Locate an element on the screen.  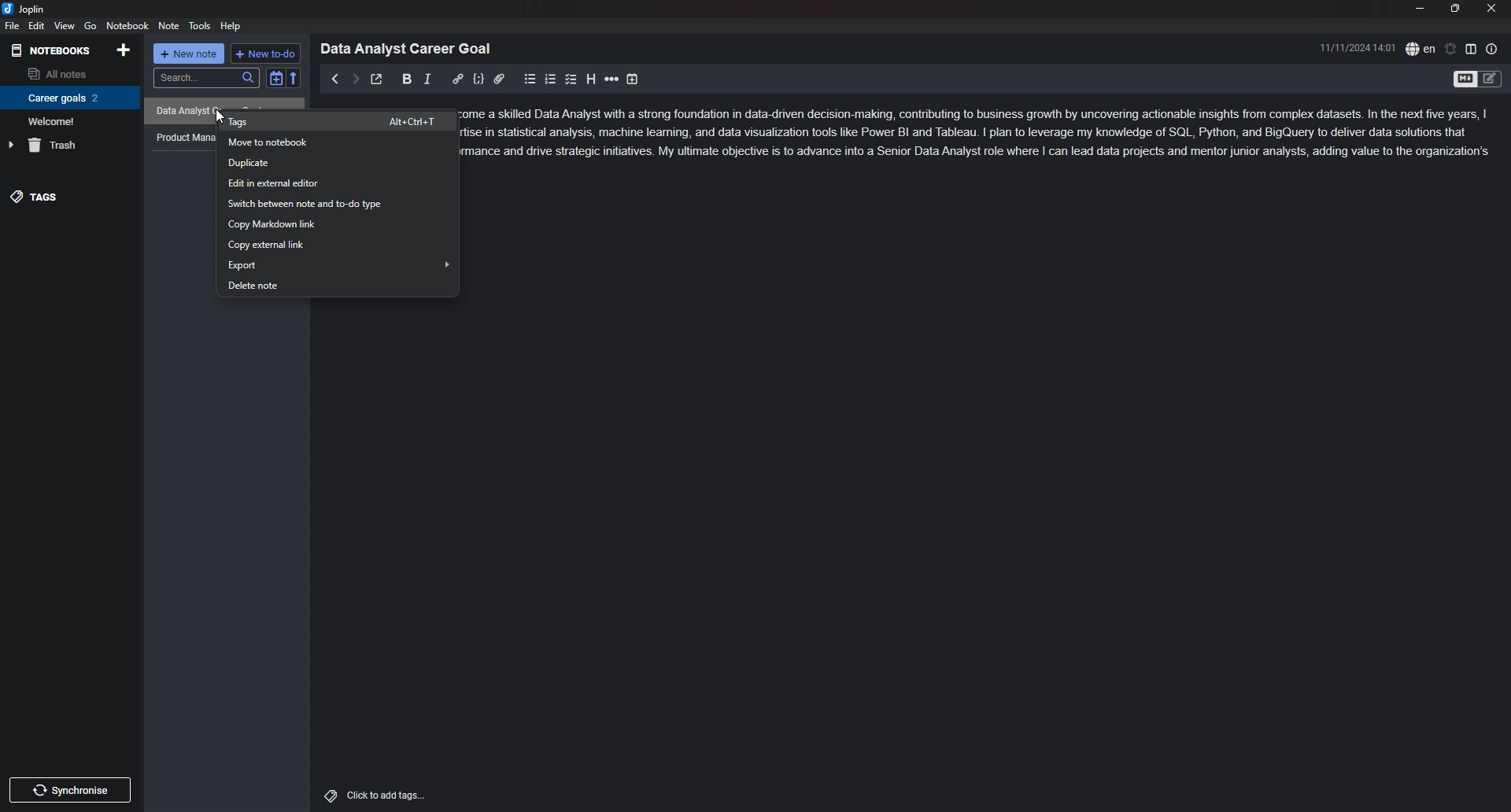
view is located at coordinates (65, 26).